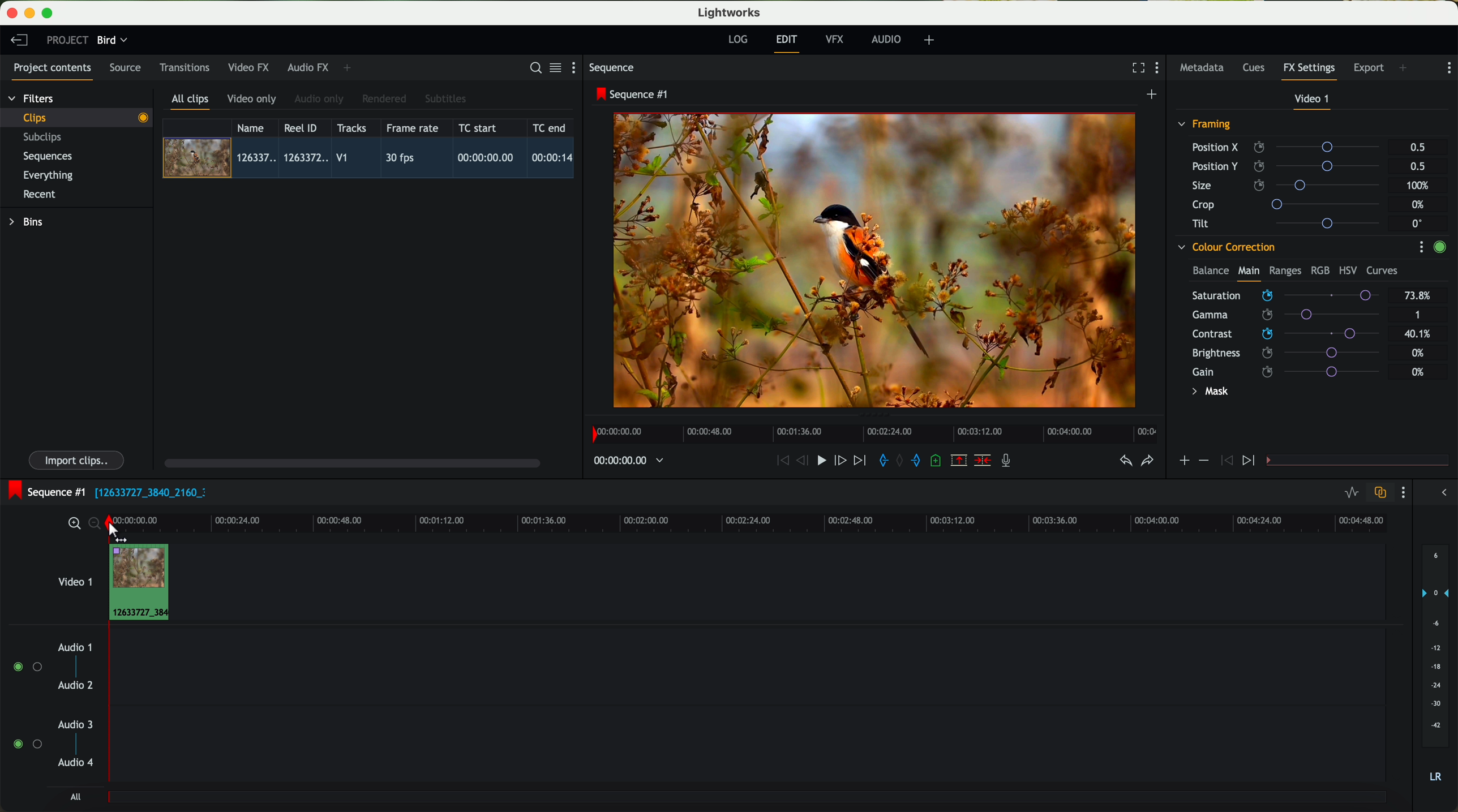 The width and height of the screenshot is (1458, 812). Describe the element at coordinates (1280, 316) in the screenshot. I see `click on saturation` at that location.